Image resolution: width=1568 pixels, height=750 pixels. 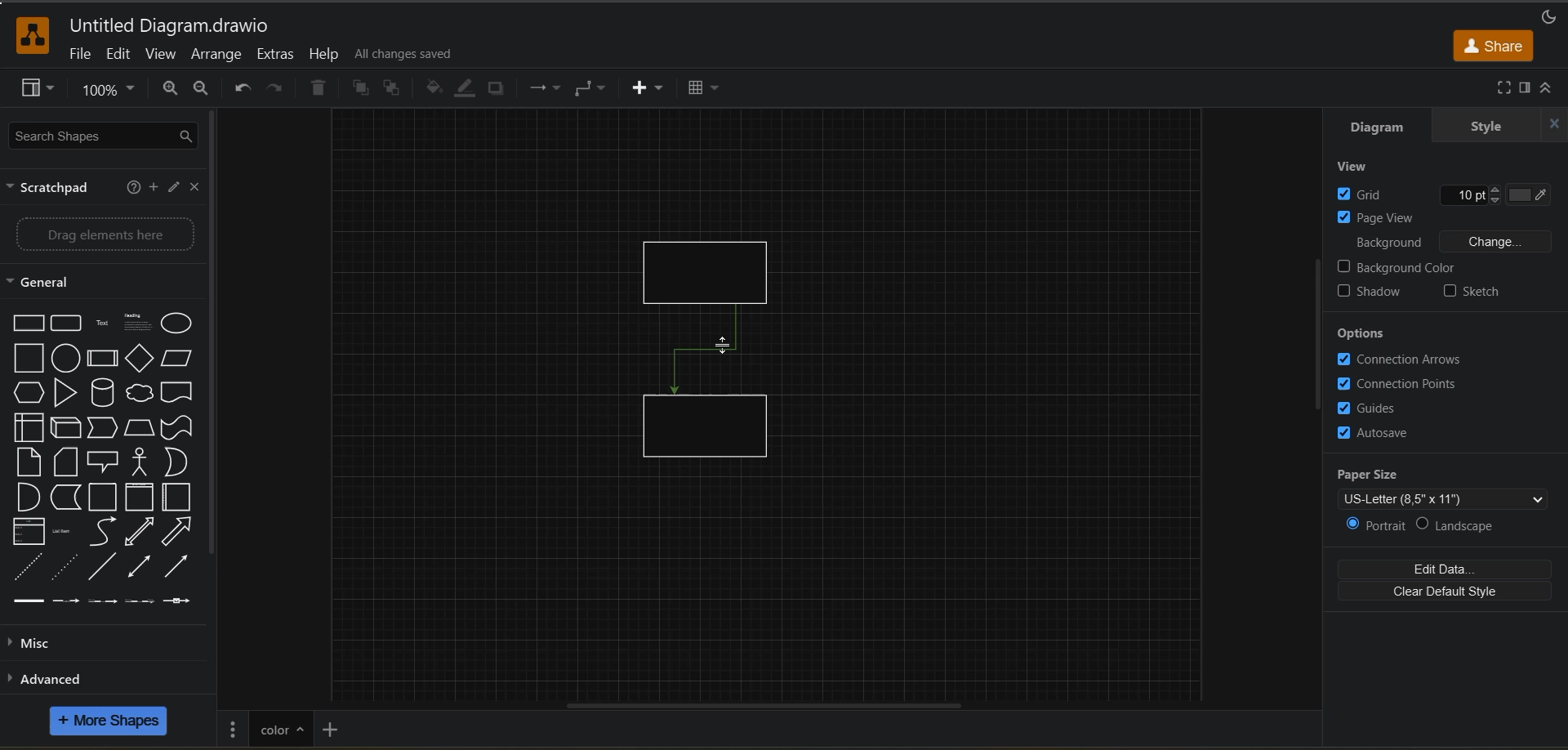 I want to click on background color, so click(x=1398, y=267).